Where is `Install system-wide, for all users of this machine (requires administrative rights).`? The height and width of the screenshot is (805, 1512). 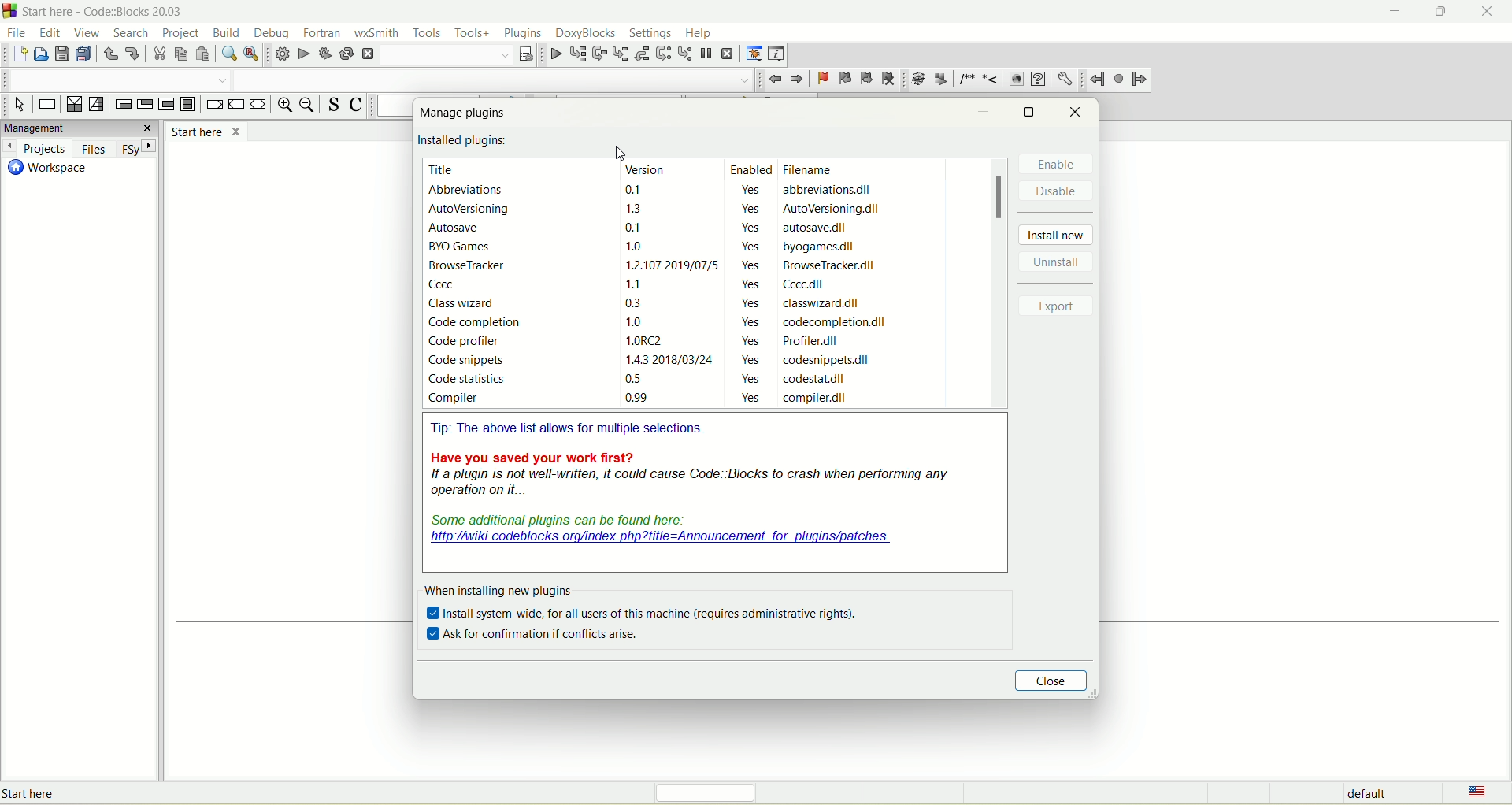 Install system-wide, for all users of this machine (requires administrative rights). is located at coordinates (643, 614).